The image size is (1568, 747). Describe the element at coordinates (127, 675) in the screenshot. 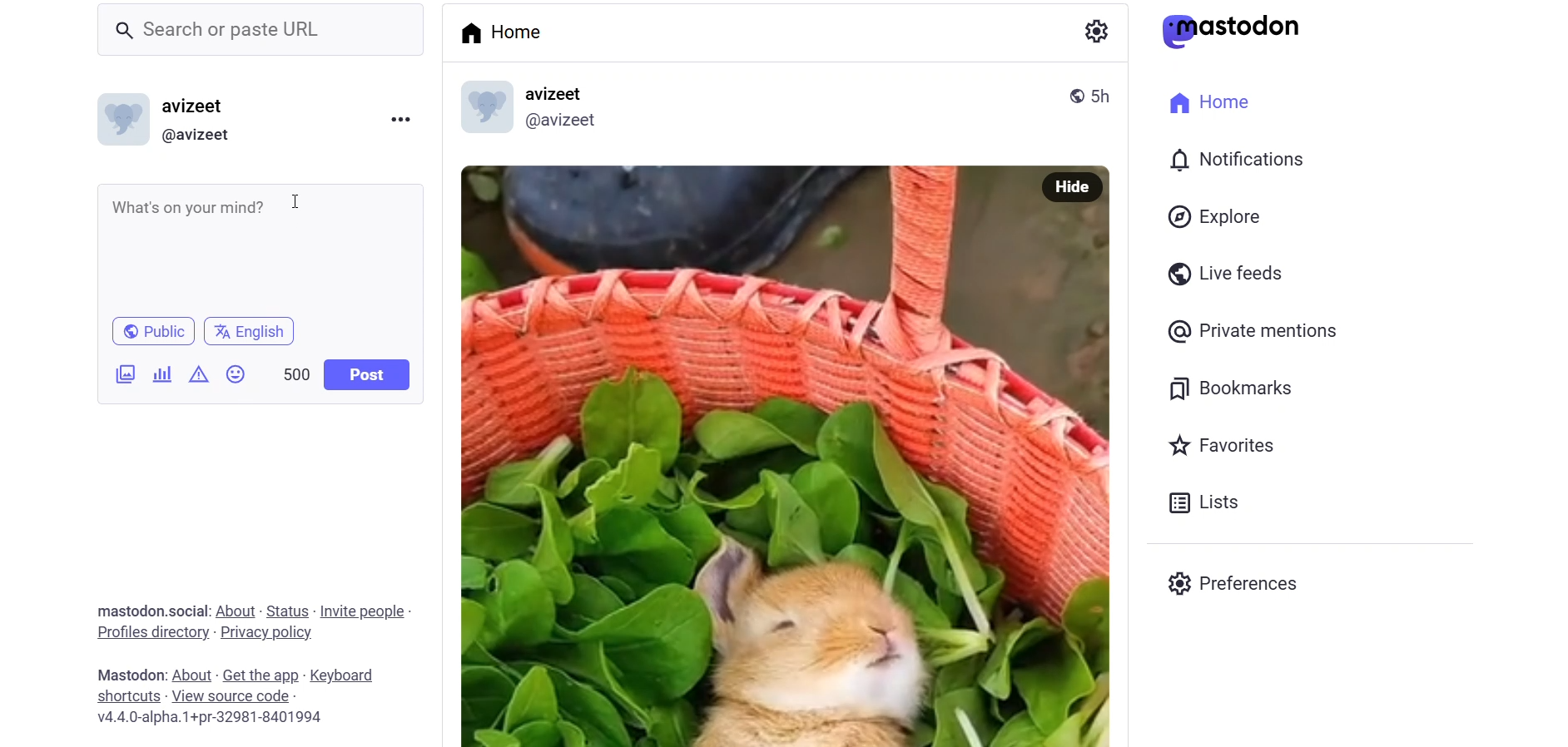

I see `text` at that location.